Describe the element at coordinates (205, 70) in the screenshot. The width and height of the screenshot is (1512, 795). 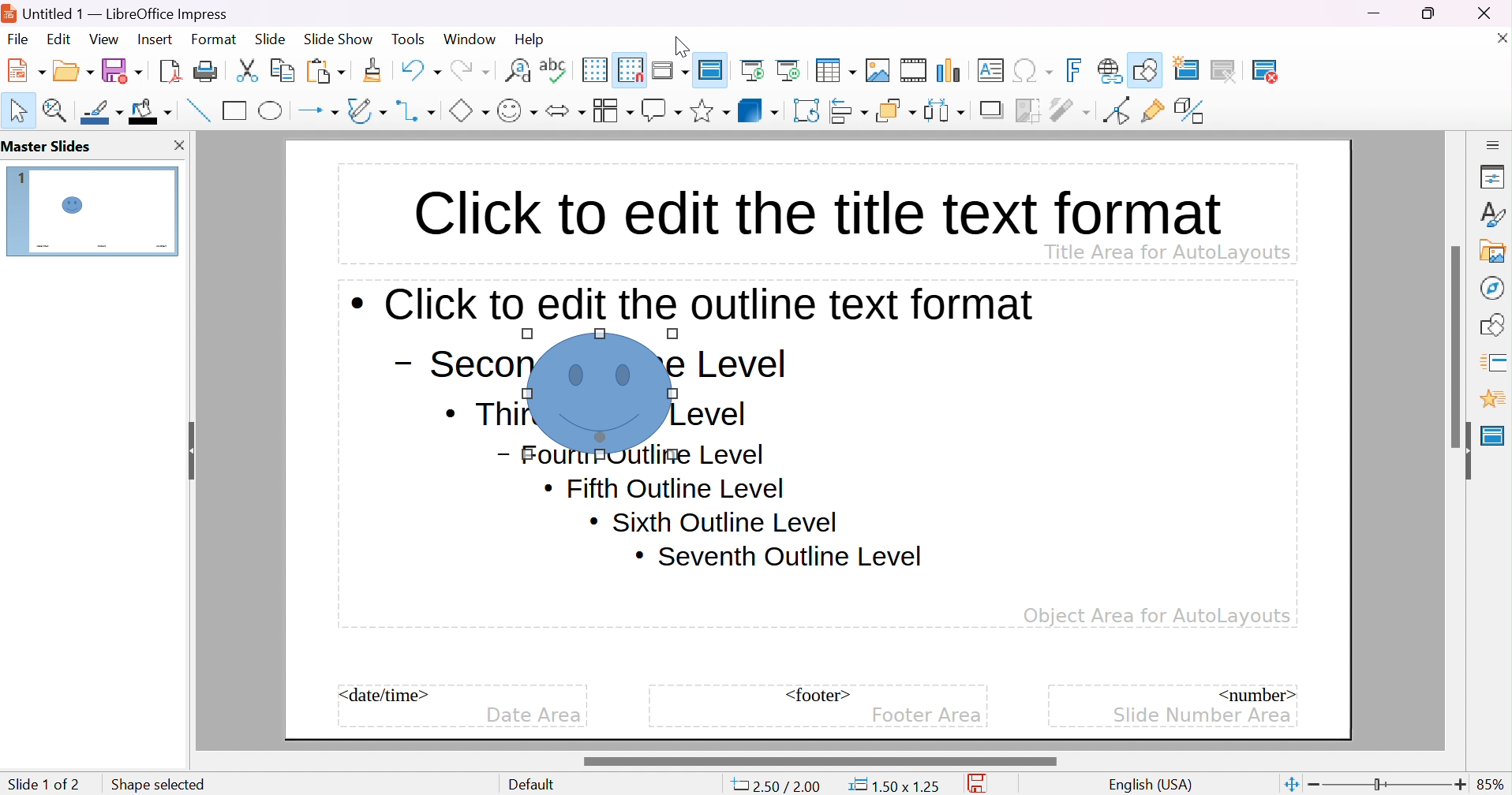
I see `print` at that location.